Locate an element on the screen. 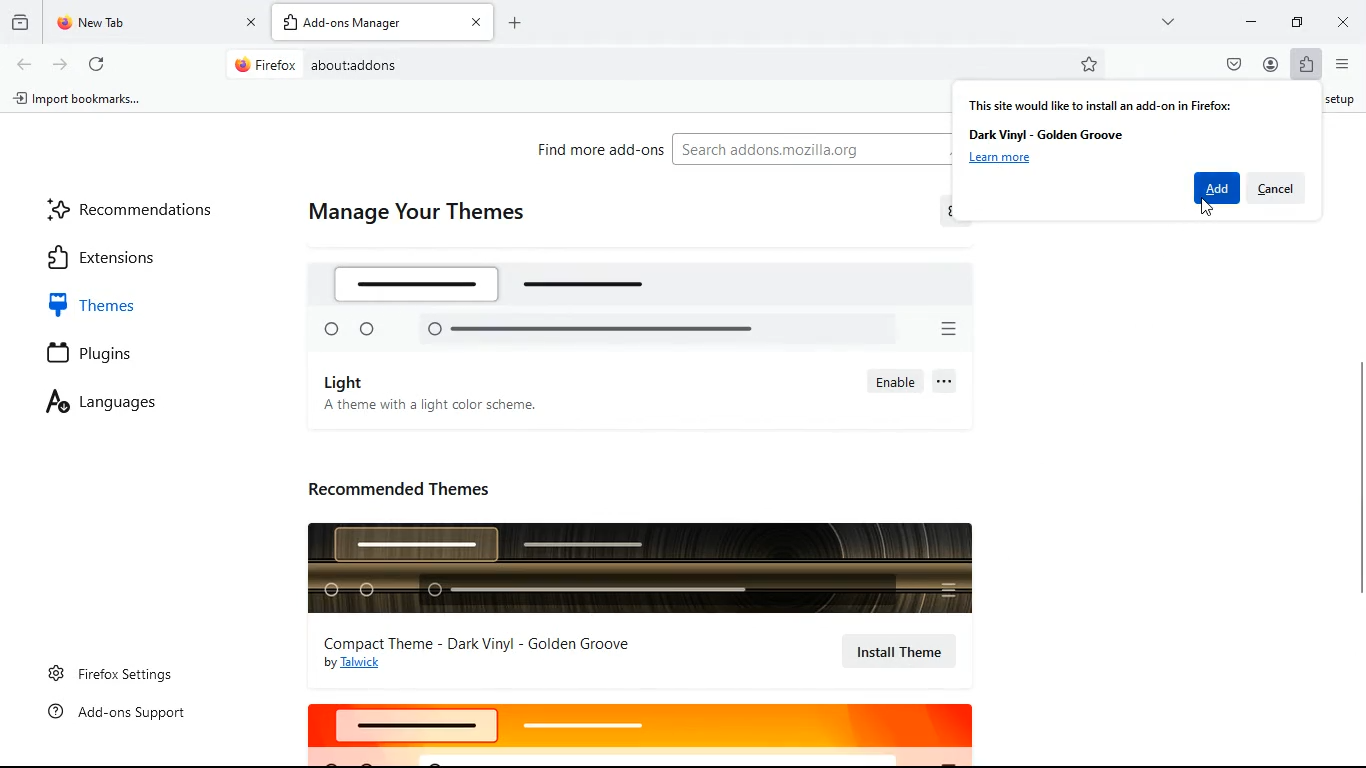 The height and width of the screenshot is (768, 1366). recommendations is located at coordinates (136, 208).